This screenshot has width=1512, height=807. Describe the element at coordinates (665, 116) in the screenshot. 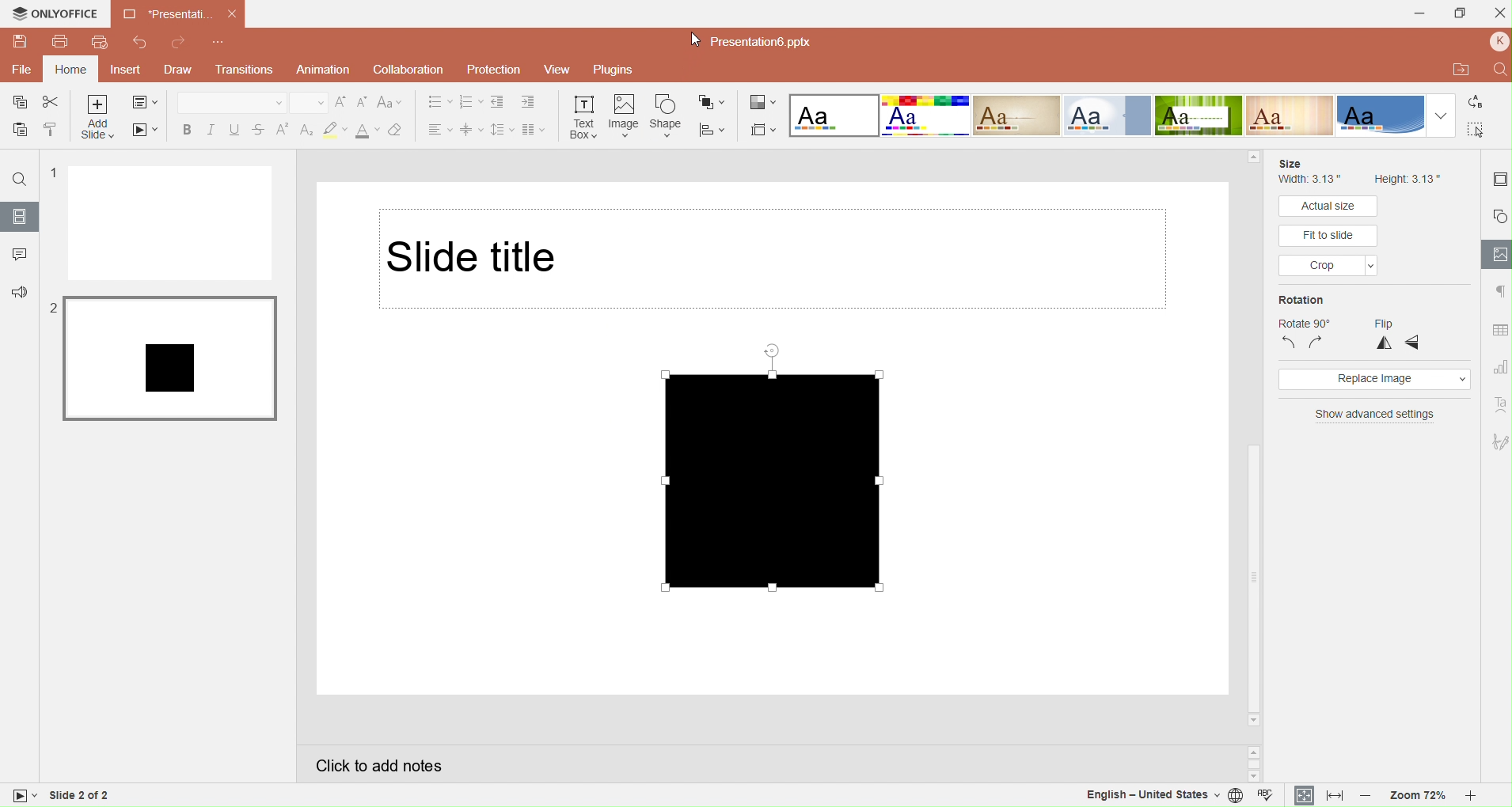

I see `Insert shape` at that location.